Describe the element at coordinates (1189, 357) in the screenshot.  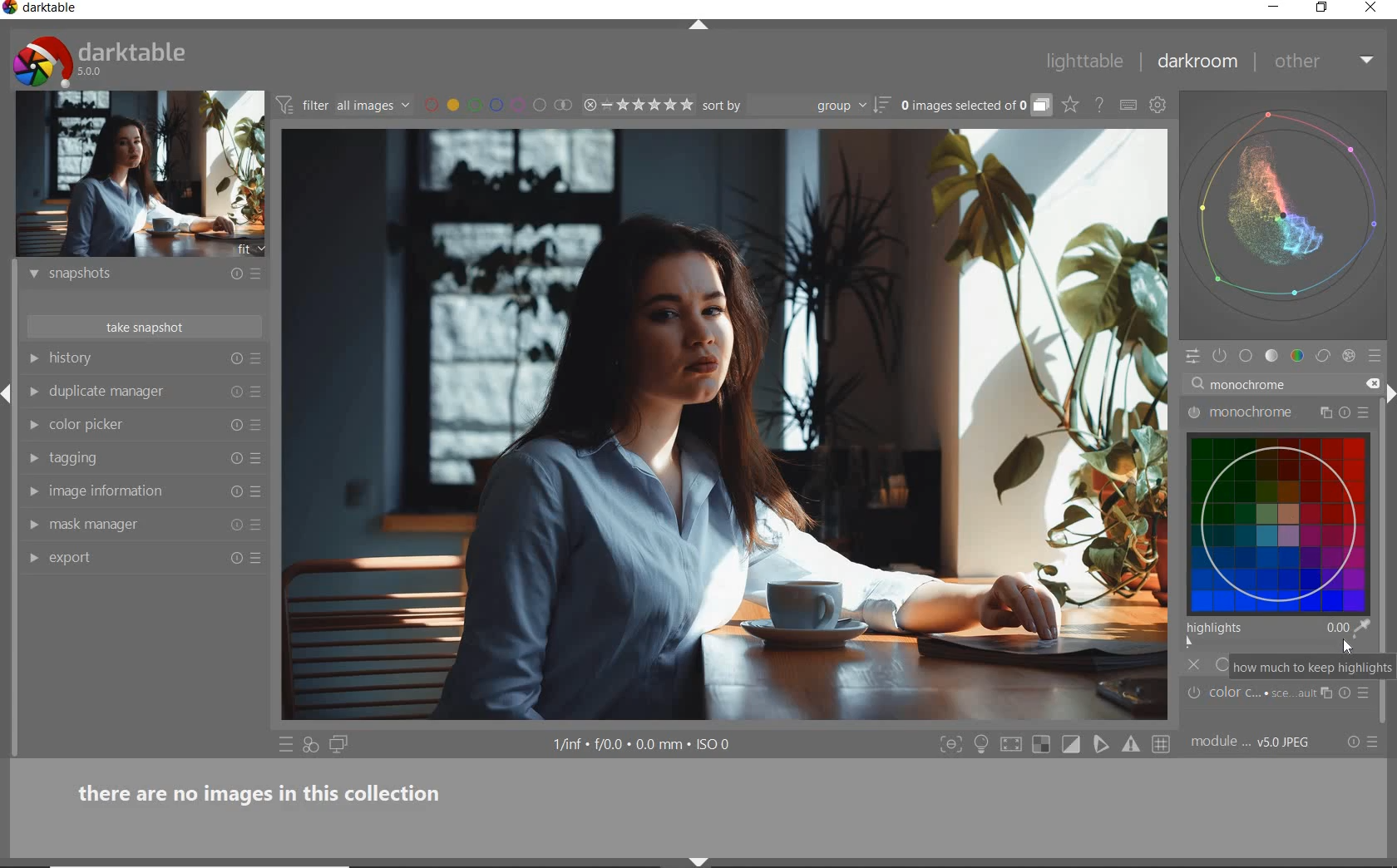
I see `quick access panel` at that location.